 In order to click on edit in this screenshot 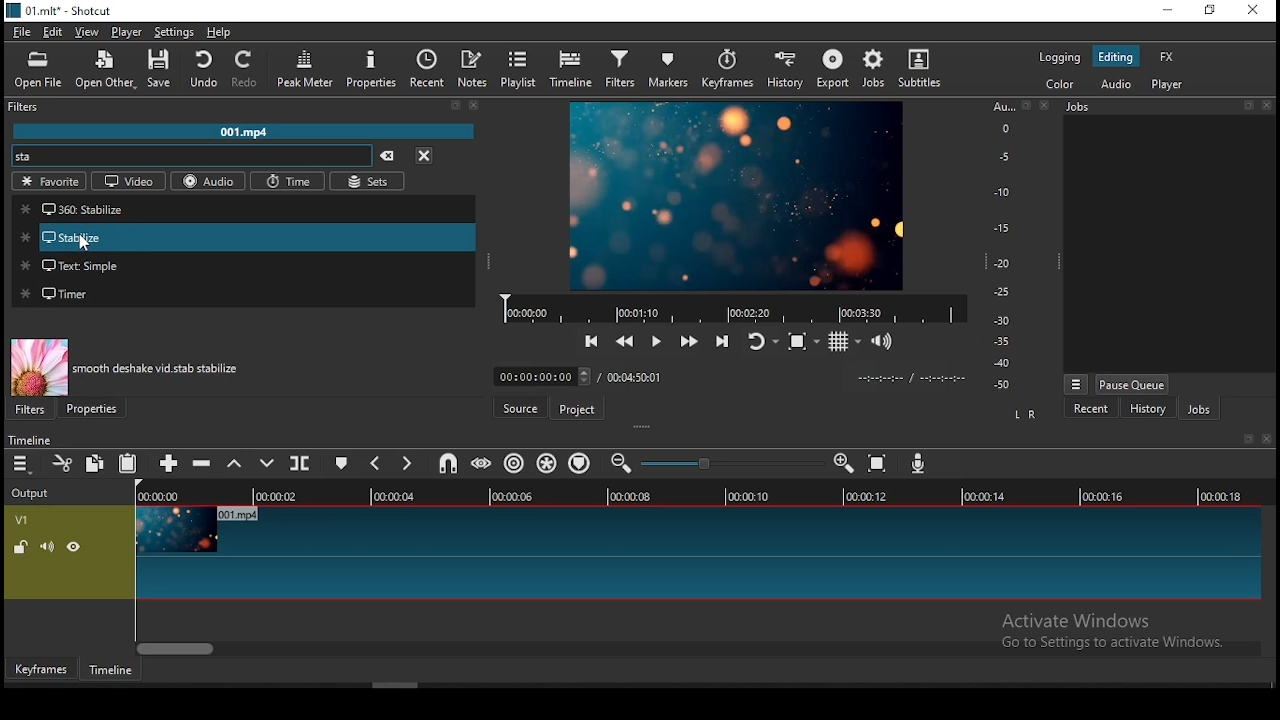, I will do `click(55, 32)`.